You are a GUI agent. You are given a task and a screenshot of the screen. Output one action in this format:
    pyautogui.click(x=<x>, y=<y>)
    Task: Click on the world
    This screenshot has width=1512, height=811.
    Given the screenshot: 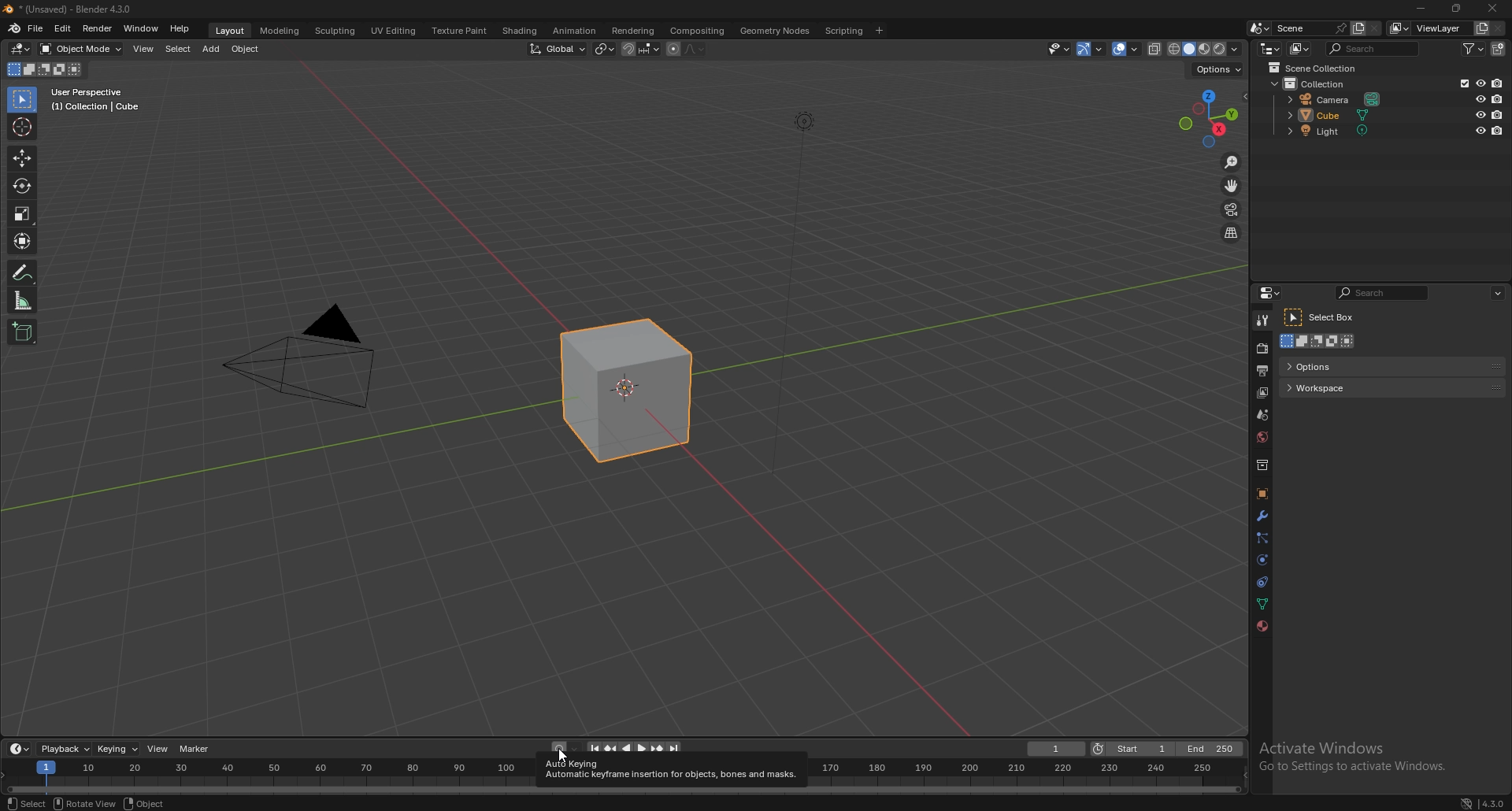 What is the action you would take?
    pyautogui.click(x=1262, y=437)
    